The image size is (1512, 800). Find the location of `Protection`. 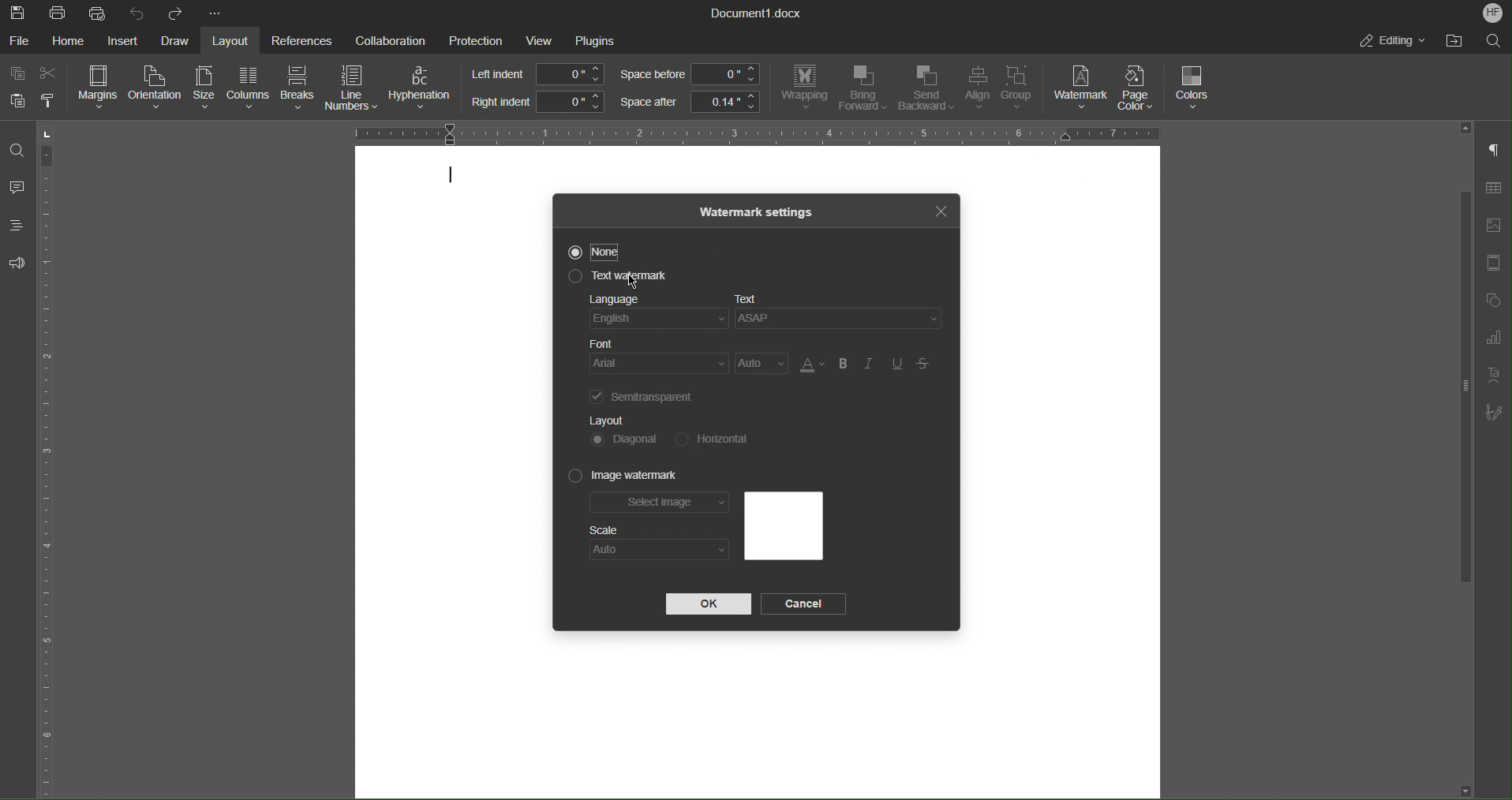

Protection is located at coordinates (476, 39).